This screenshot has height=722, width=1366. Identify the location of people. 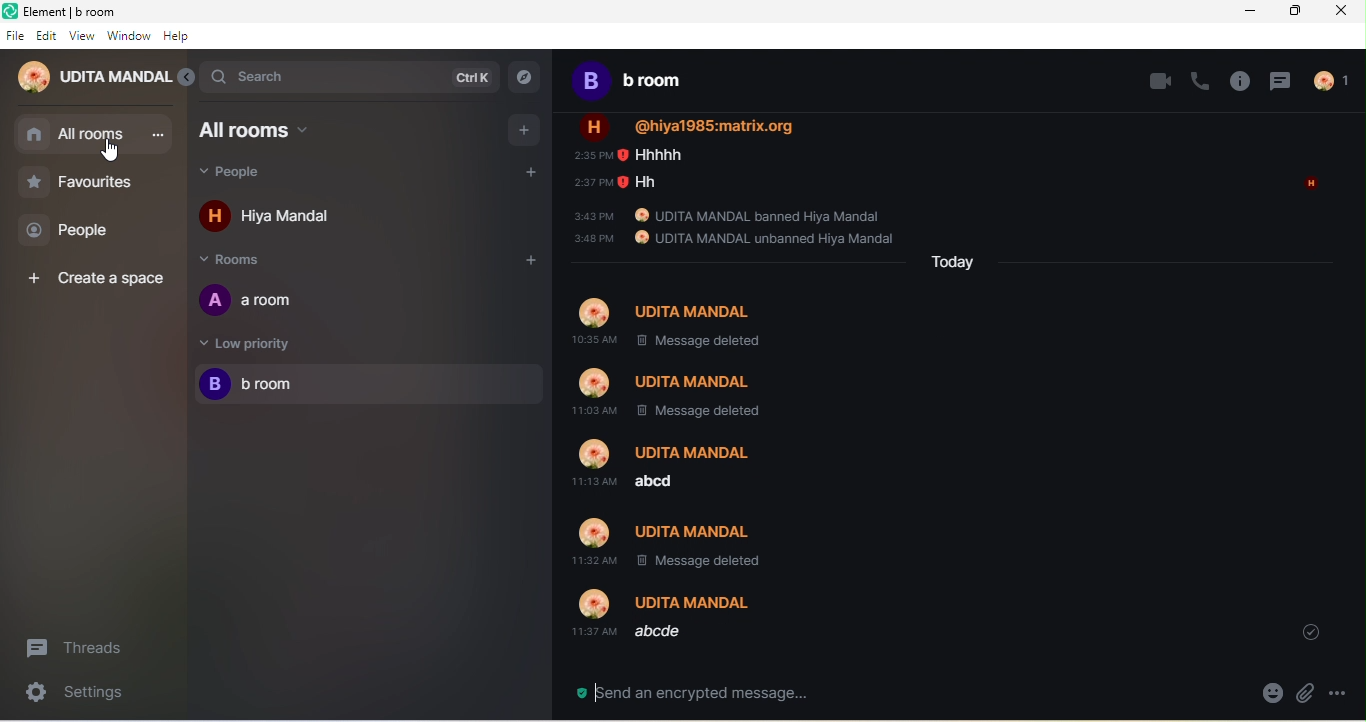
(1338, 80).